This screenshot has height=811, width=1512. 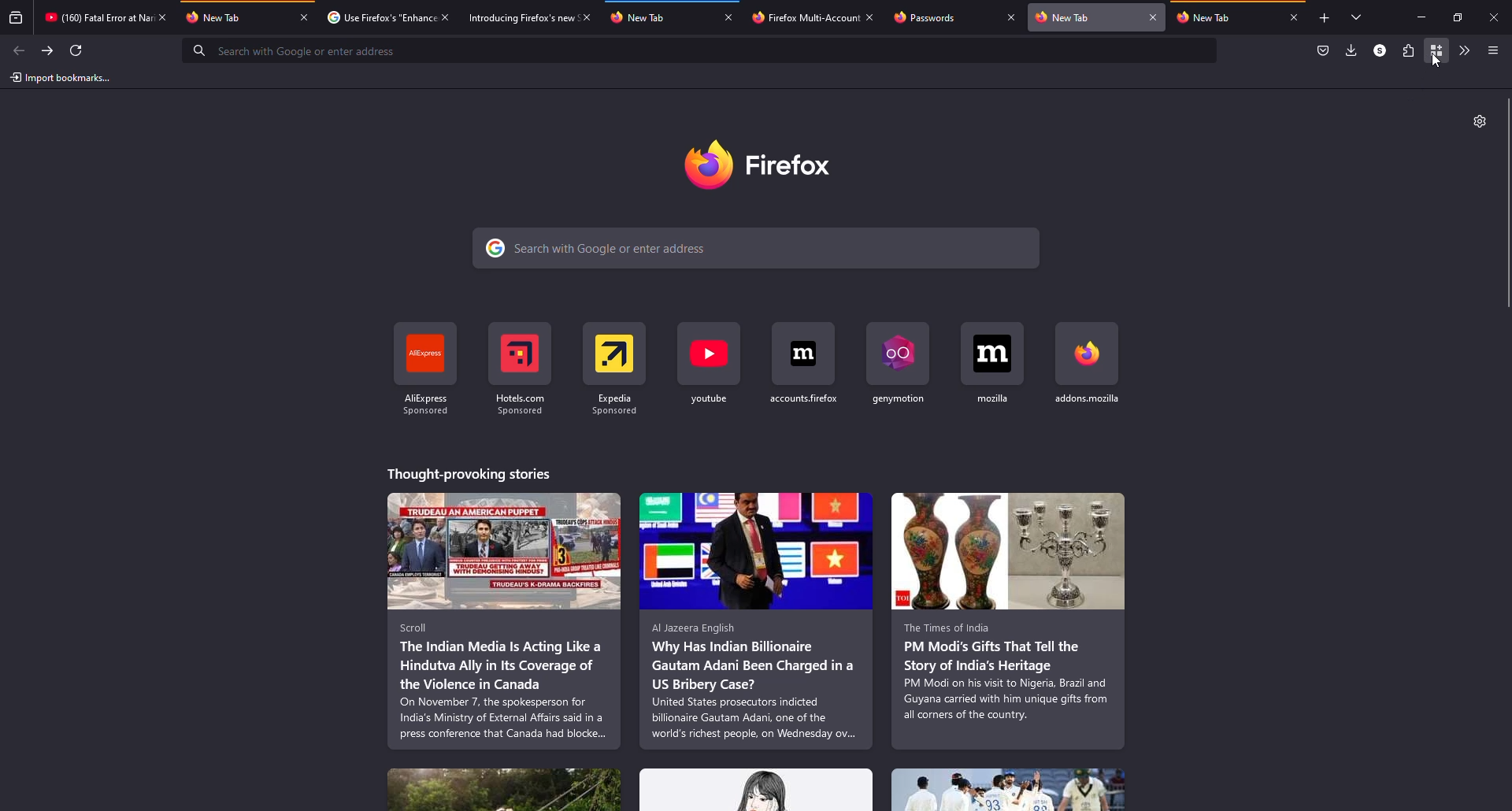 What do you see at coordinates (1351, 51) in the screenshot?
I see `downloads` at bounding box center [1351, 51].